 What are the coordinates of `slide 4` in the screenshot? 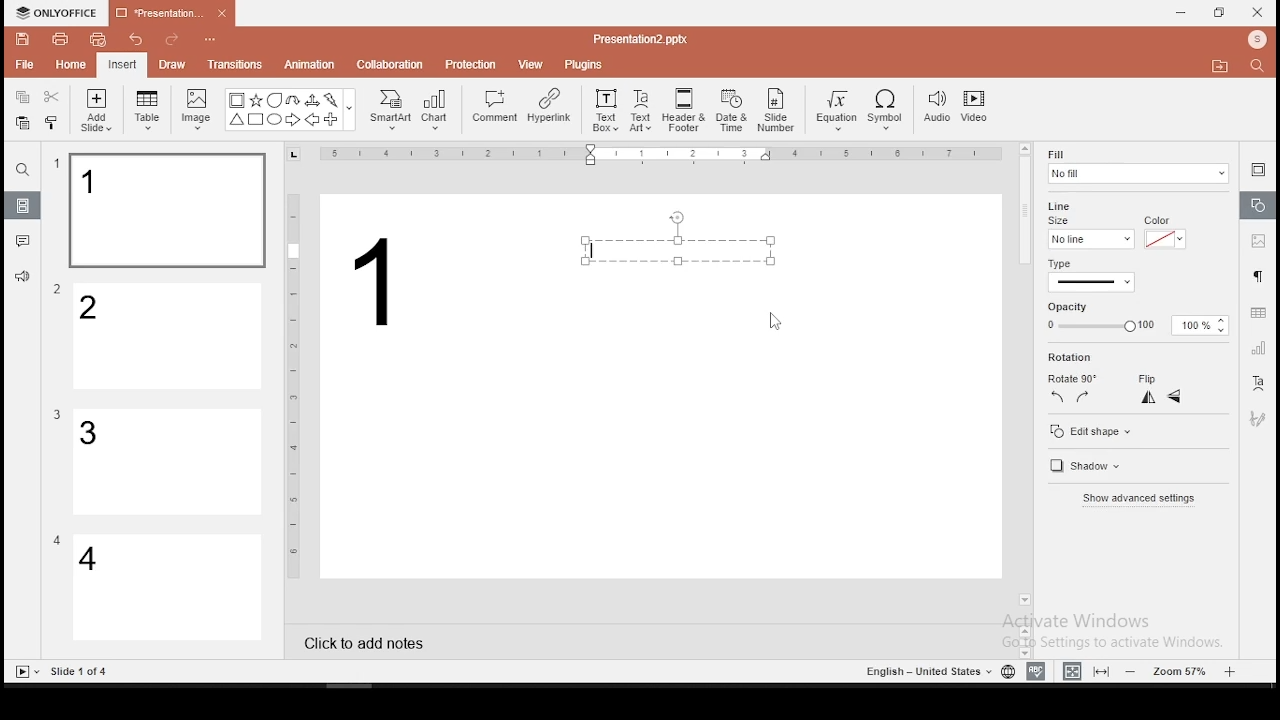 It's located at (168, 589).